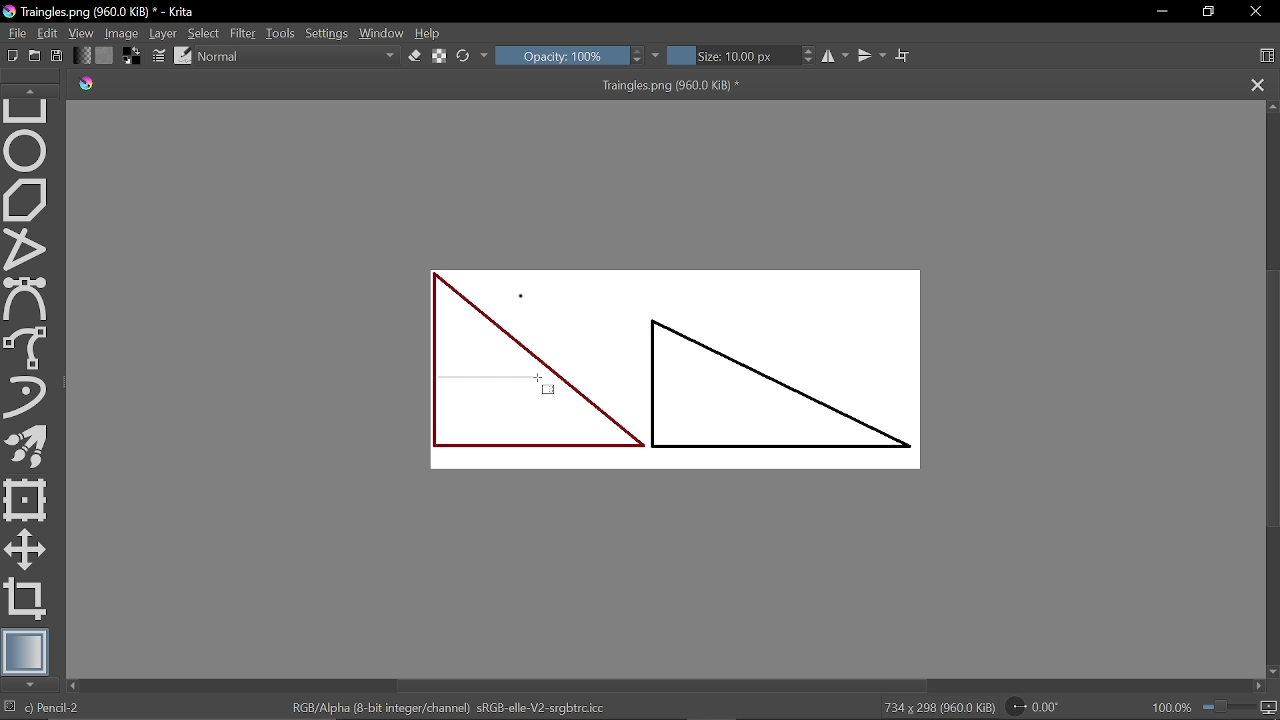 The image size is (1280, 720). Describe the element at coordinates (32, 685) in the screenshot. I see `Move down in tools` at that location.